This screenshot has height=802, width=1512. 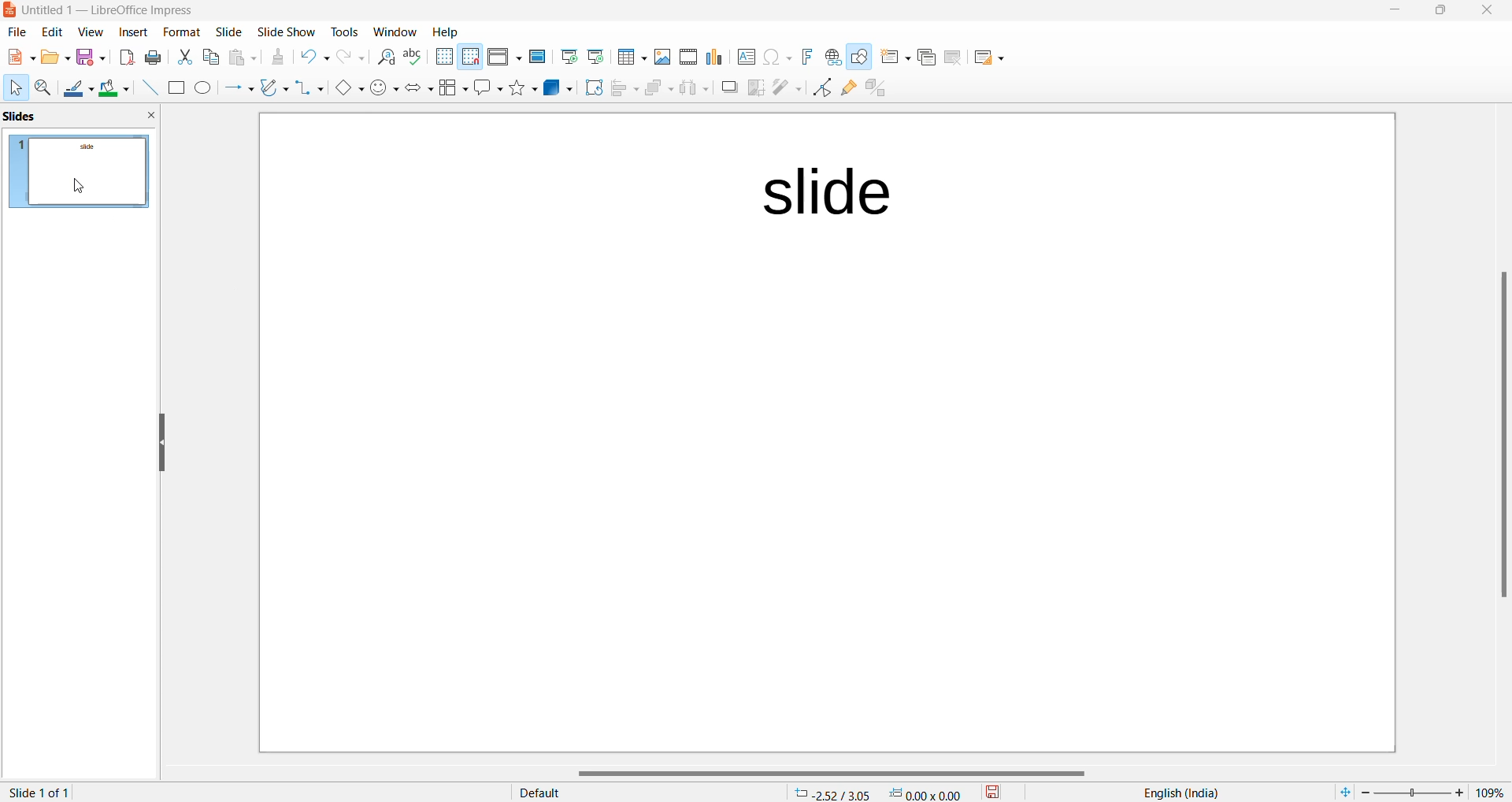 What do you see at coordinates (1492, 792) in the screenshot?
I see `zoom percentage` at bounding box center [1492, 792].